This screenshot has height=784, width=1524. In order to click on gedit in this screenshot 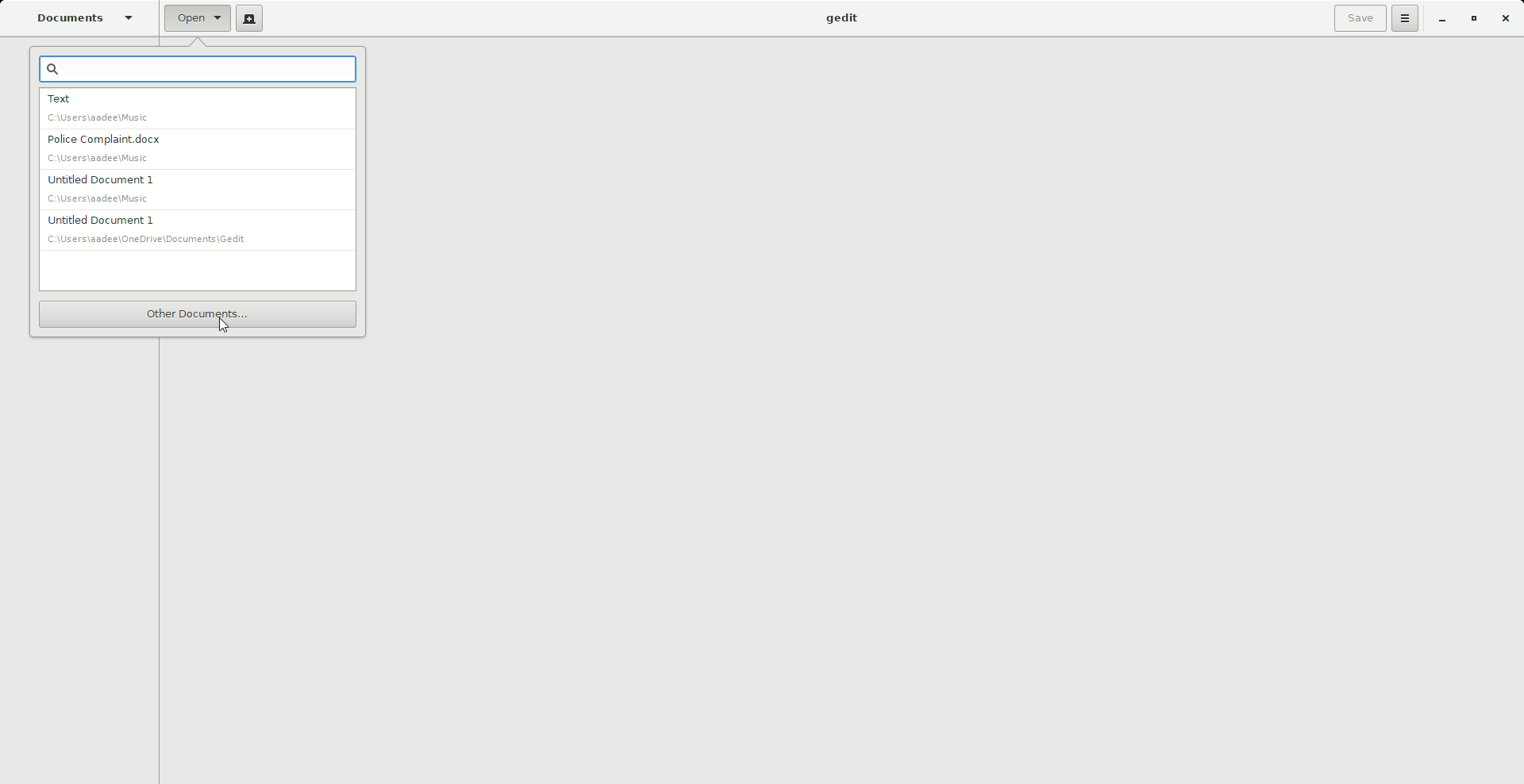, I will do `click(837, 19)`.